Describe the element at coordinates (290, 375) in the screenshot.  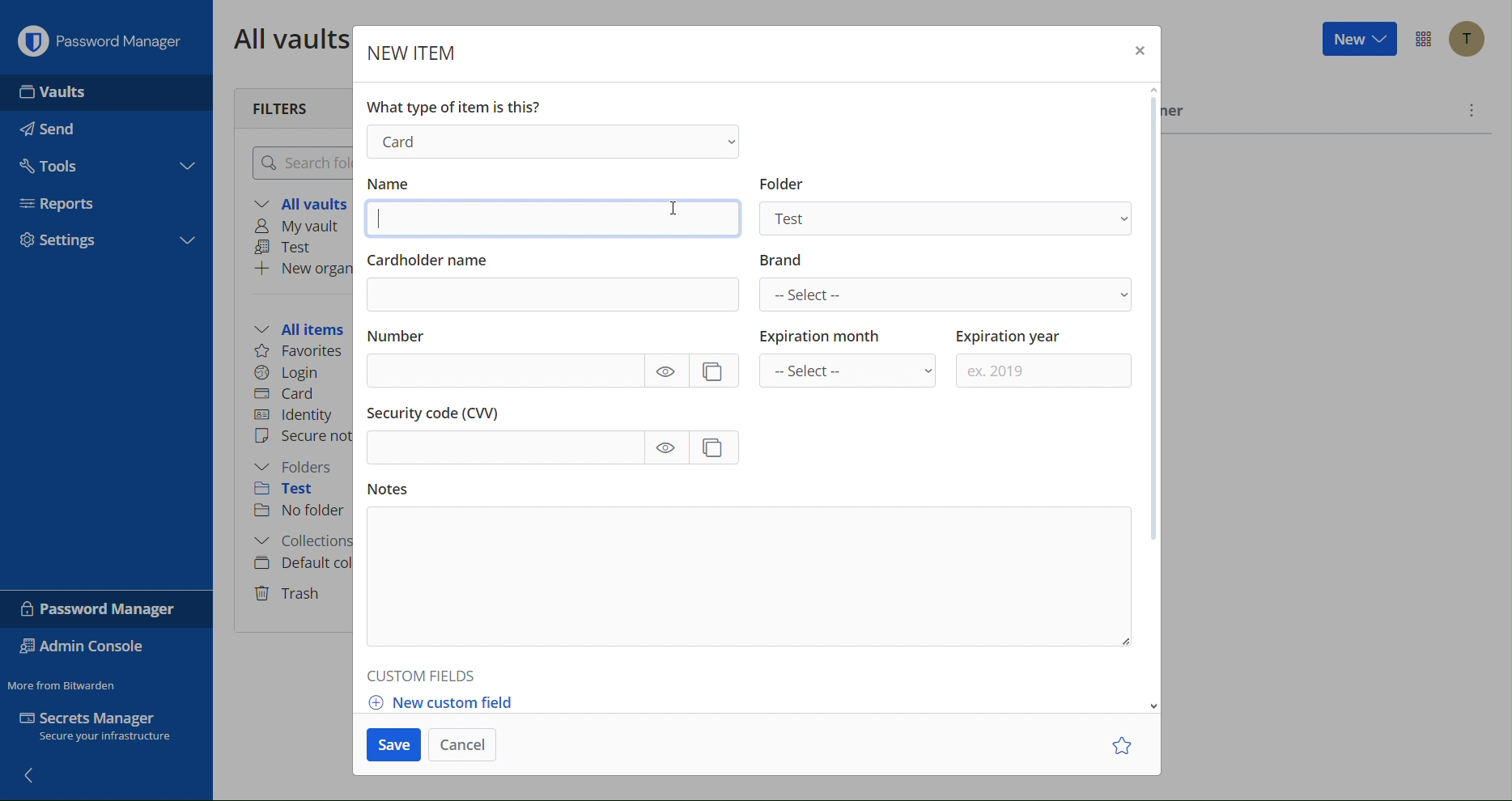
I see `Login` at that location.